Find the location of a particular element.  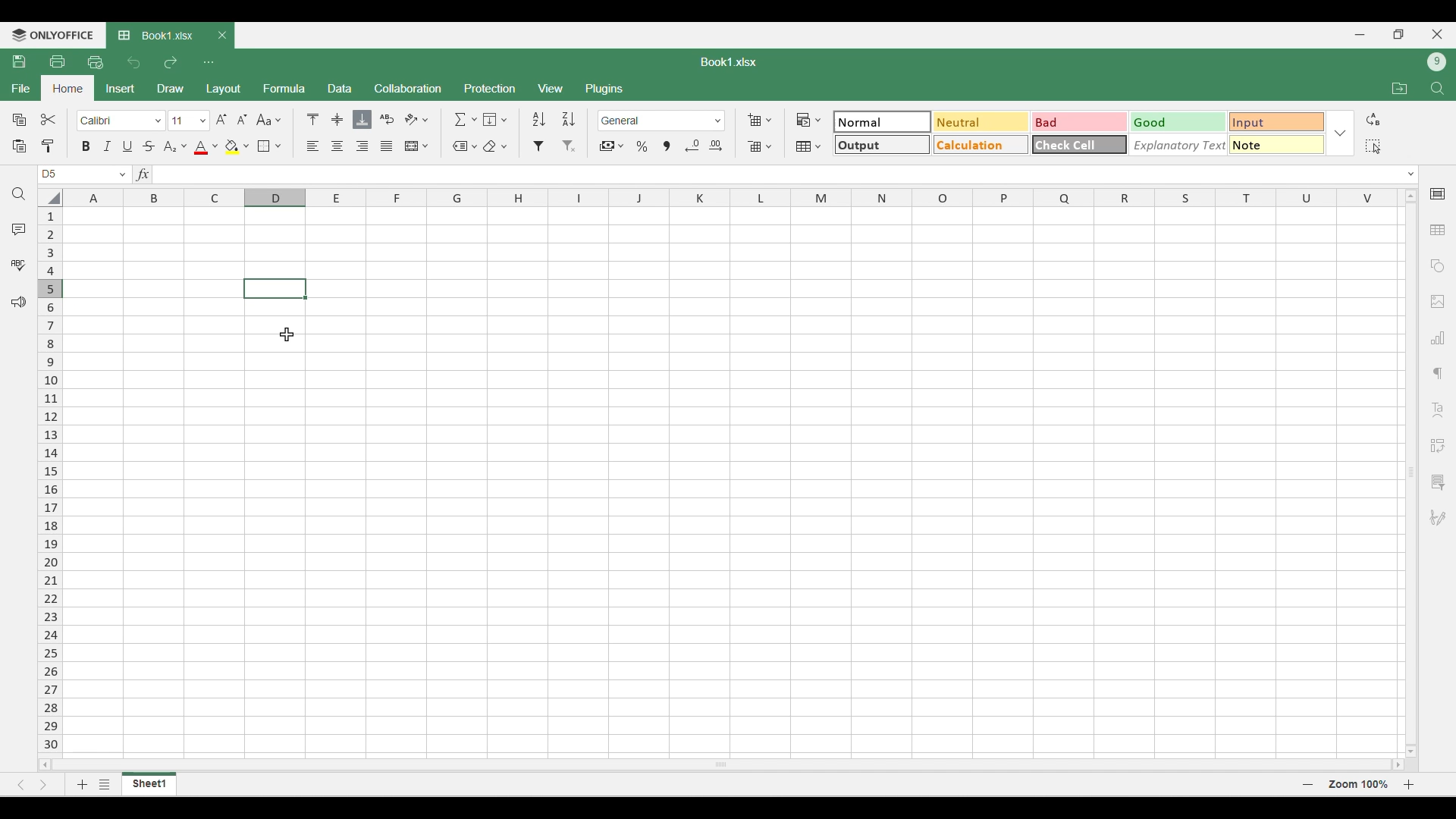

View menu is located at coordinates (552, 89).